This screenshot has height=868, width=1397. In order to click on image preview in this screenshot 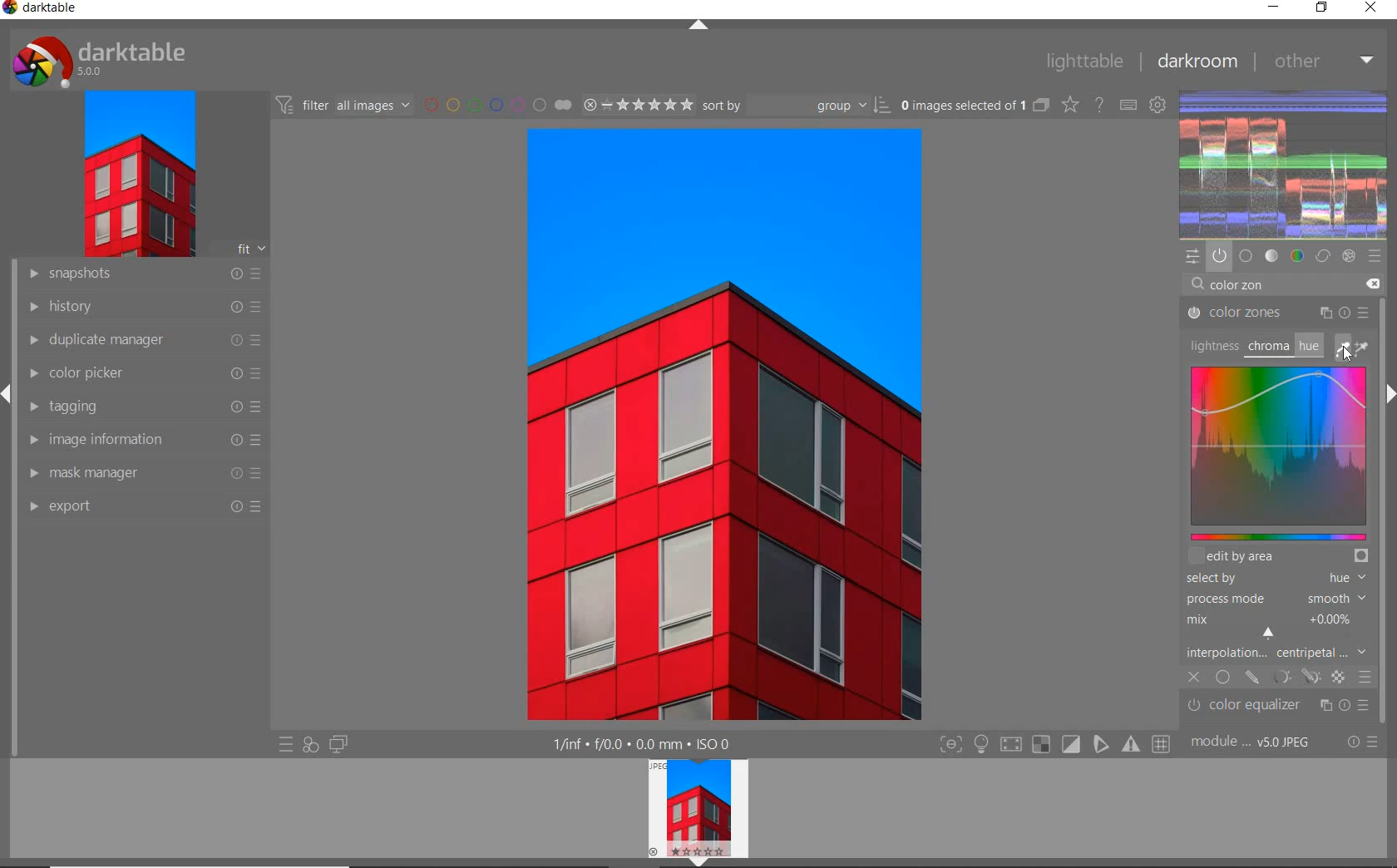, I will do `click(696, 806)`.